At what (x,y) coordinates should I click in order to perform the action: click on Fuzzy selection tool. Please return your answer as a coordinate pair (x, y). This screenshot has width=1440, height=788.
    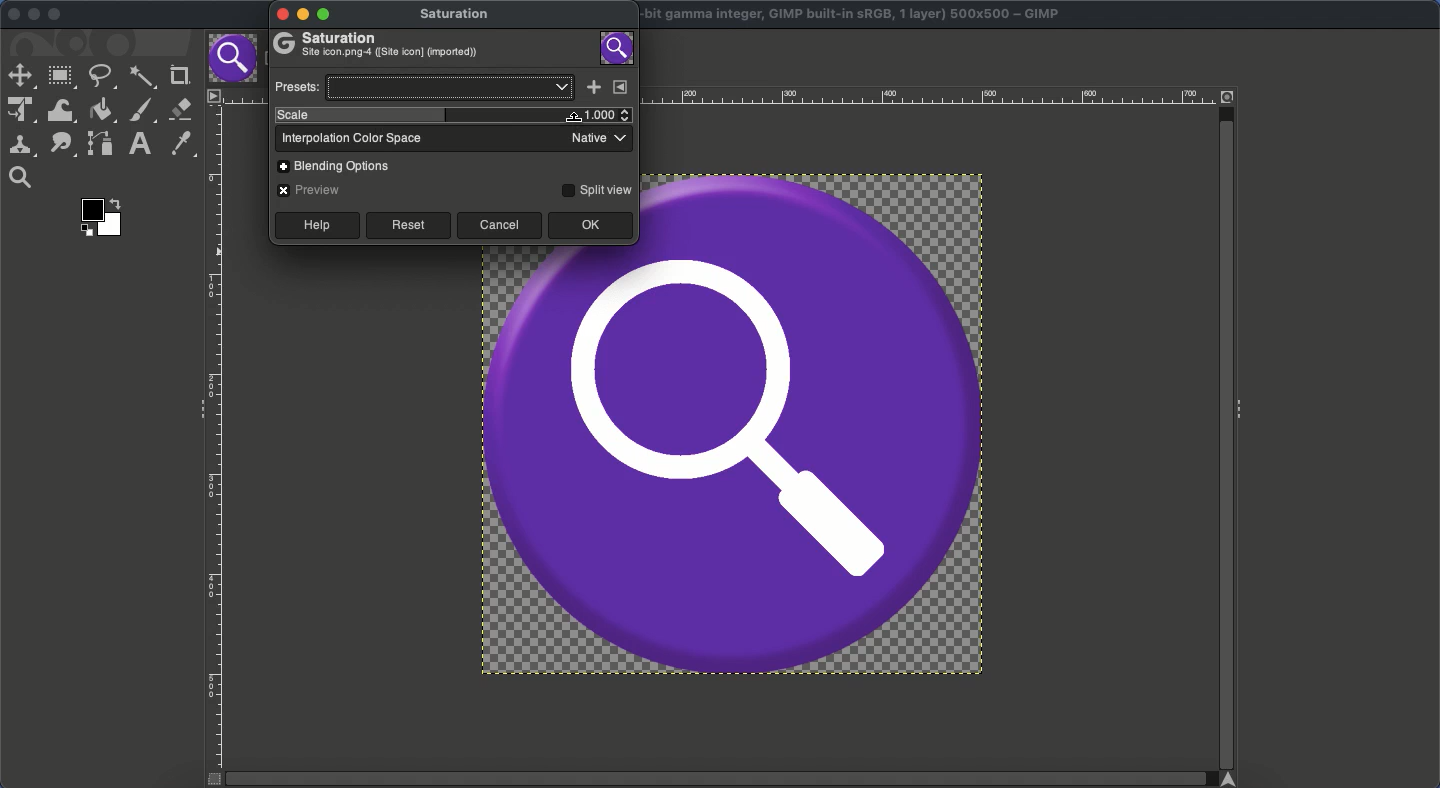
    Looking at the image, I should click on (143, 79).